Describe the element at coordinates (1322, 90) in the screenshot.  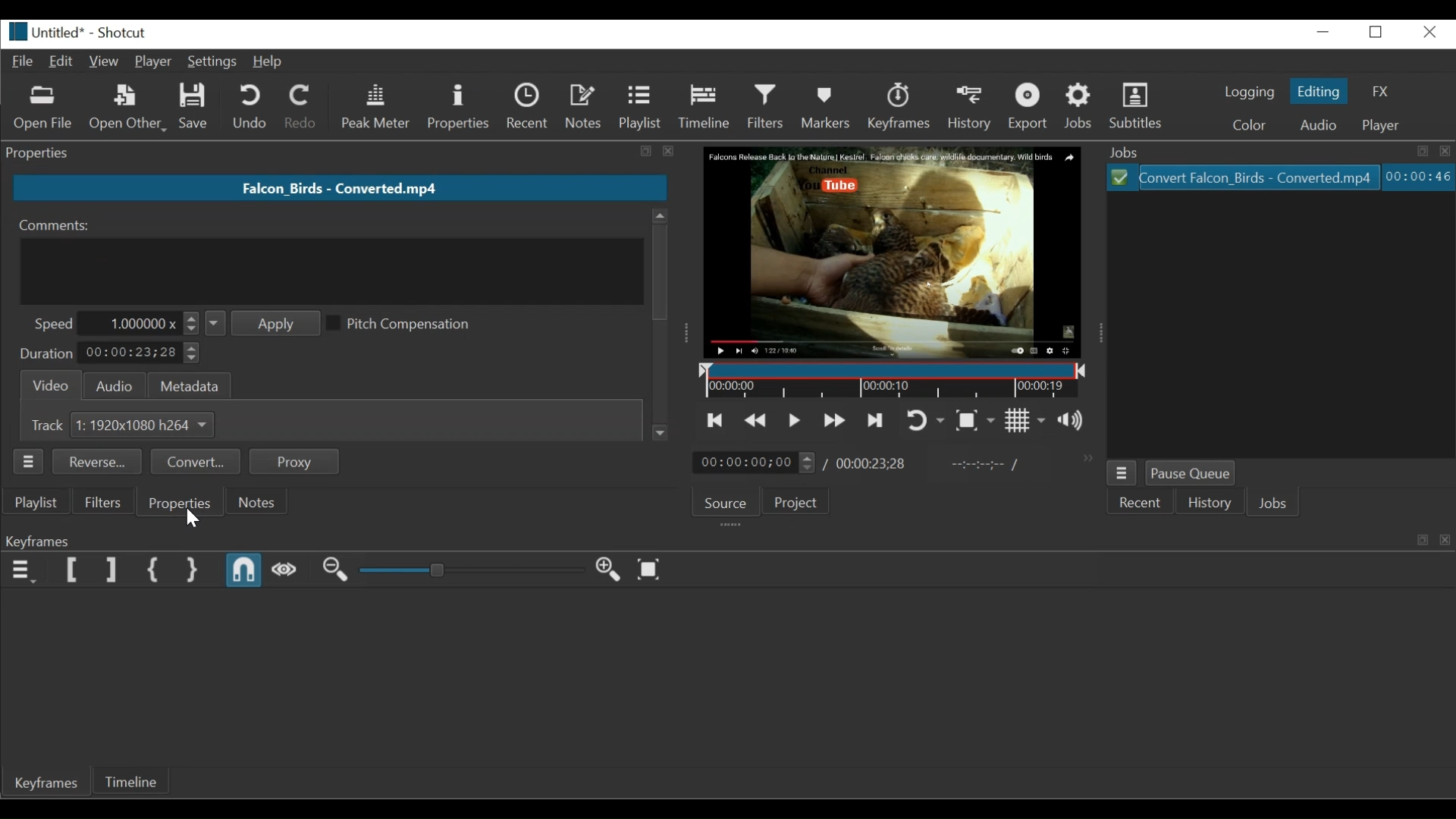
I see `Editing` at that location.